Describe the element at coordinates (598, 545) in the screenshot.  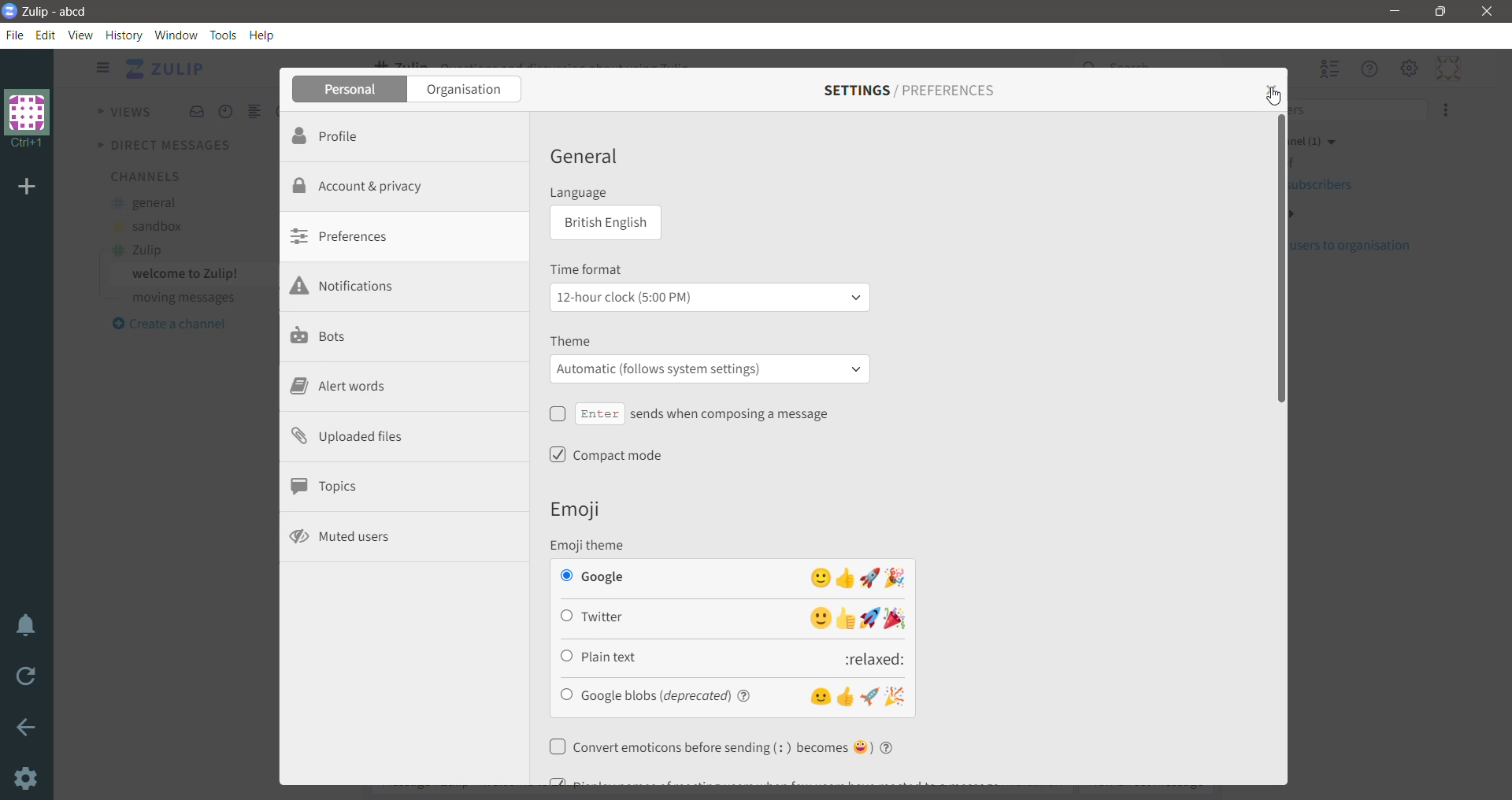
I see `Emoji theme` at that location.